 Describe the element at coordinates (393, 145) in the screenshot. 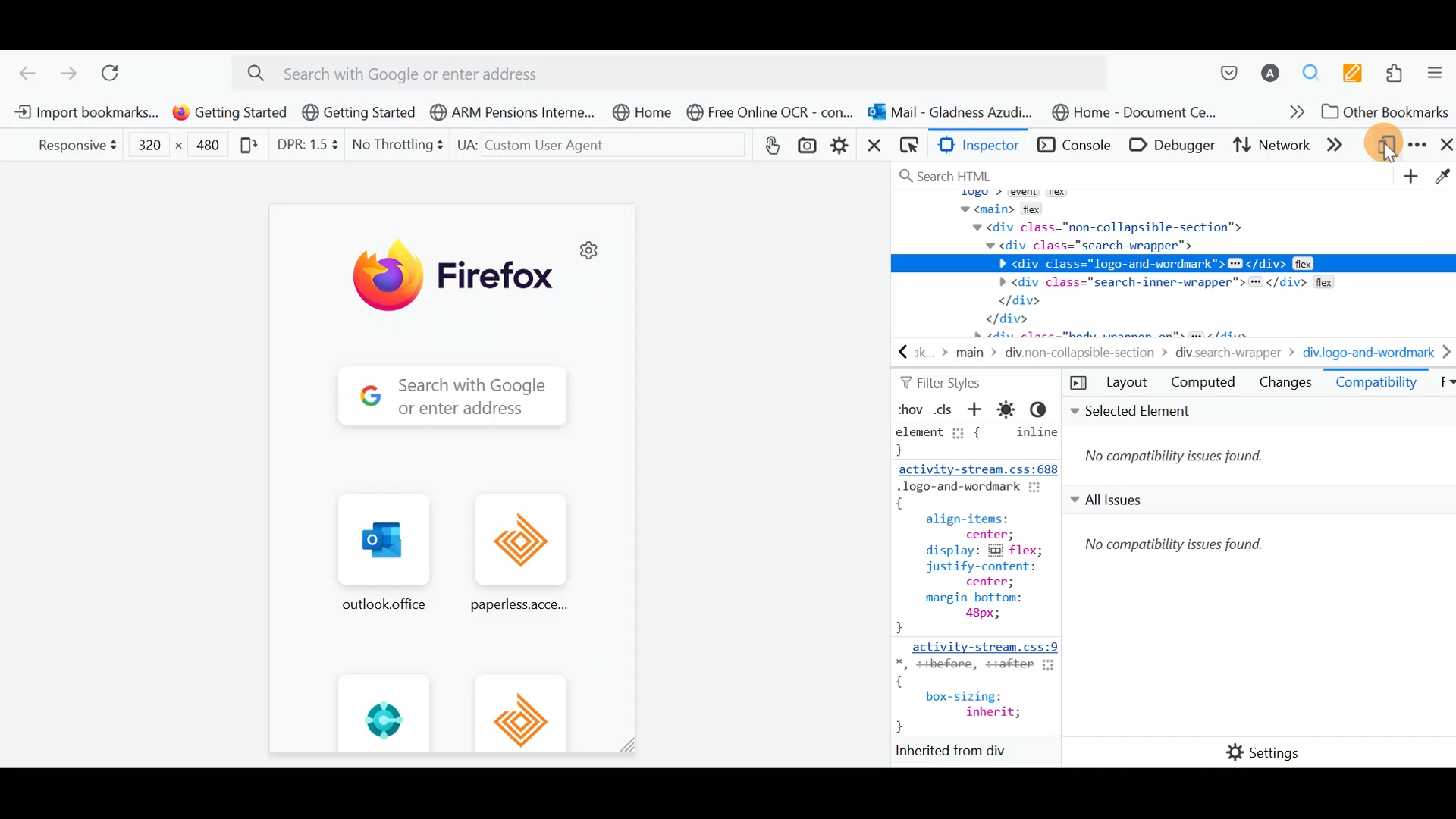

I see `No Throttling` at that location.